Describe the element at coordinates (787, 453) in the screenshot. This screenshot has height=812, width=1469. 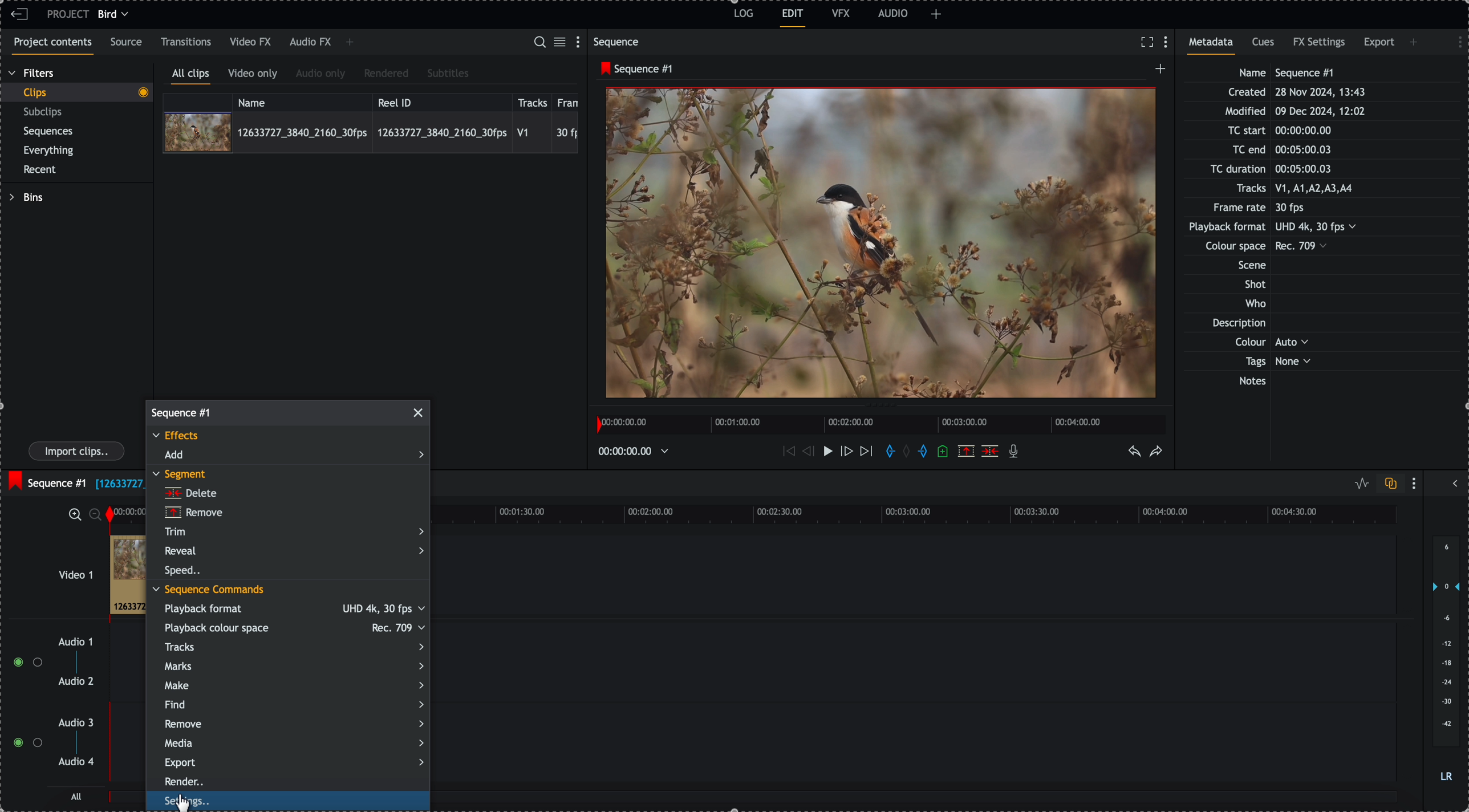
I see `move backward` at that location.